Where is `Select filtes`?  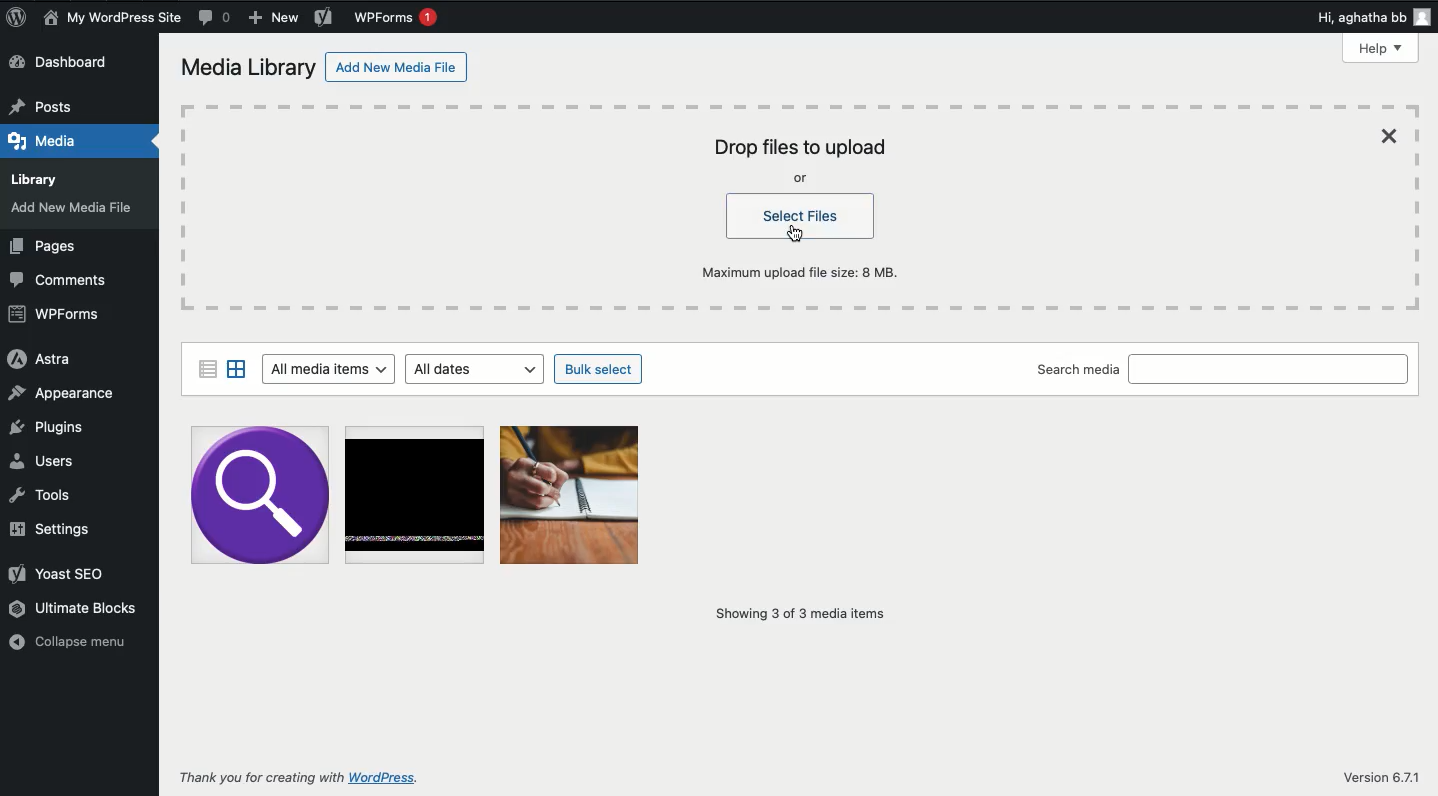 Select filtes is located at coordinates (803, 217).